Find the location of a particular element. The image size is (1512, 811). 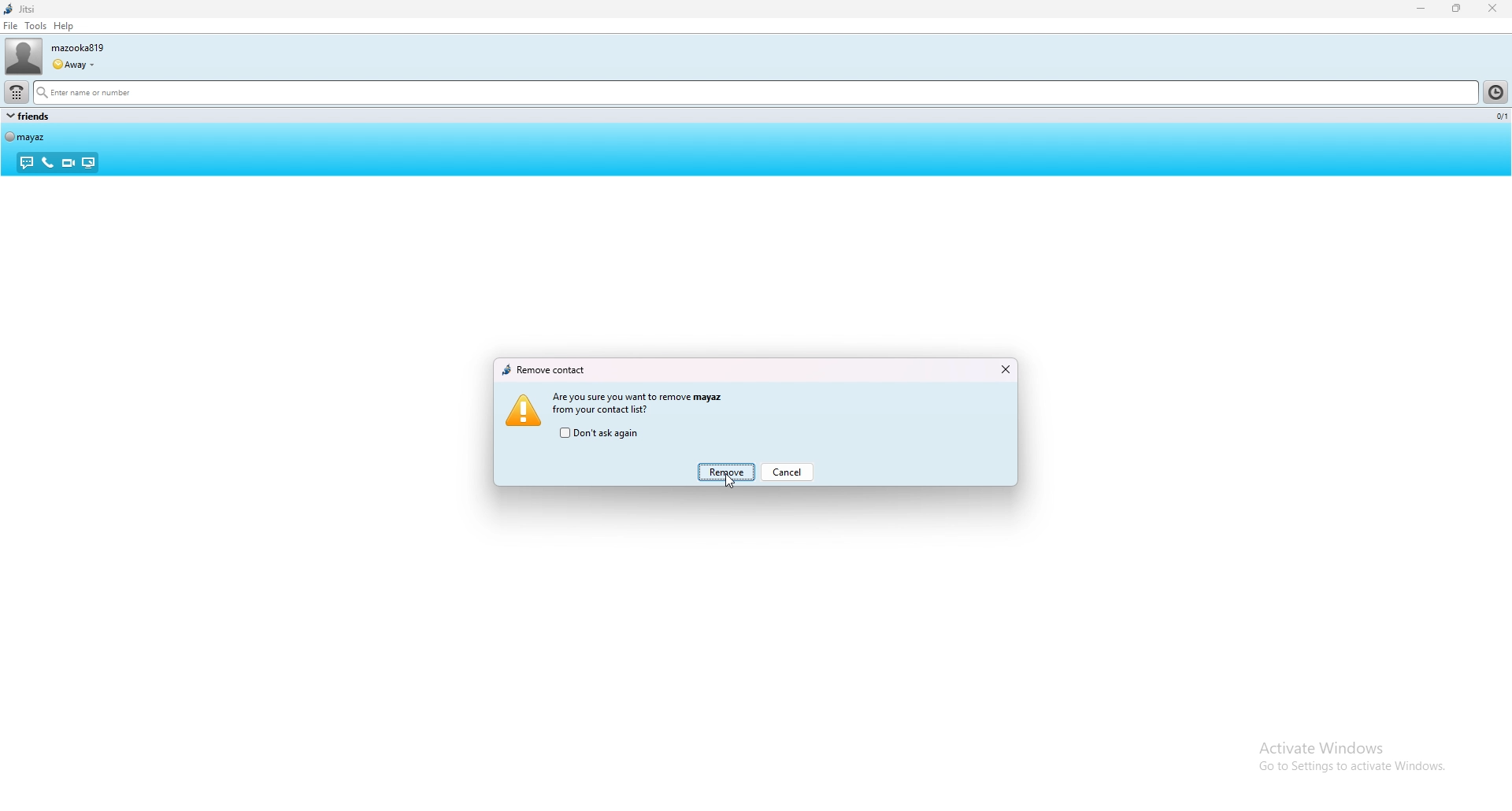

resize is located at coordinates (1458, 9).